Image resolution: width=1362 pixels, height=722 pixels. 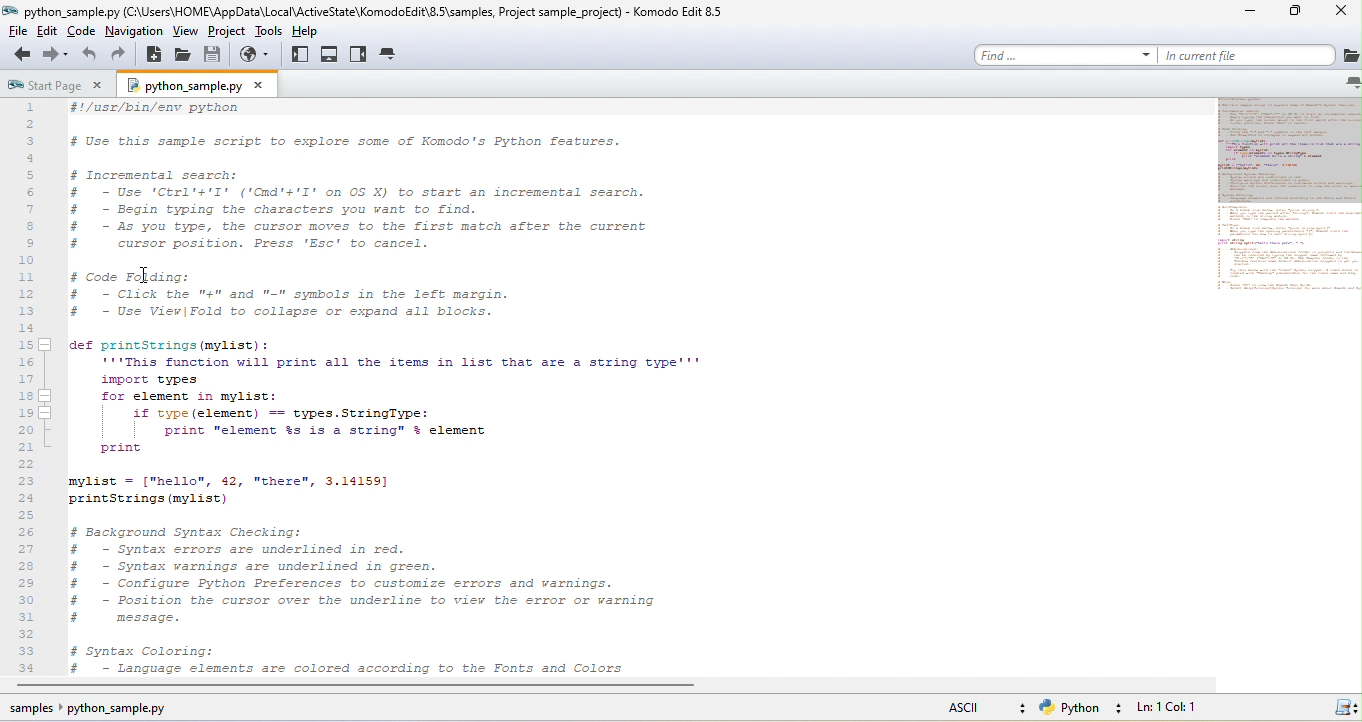 What do you see at coordinates (361, 57) in the screenshot?
I see `right pane` at bounding box center [361, 57].